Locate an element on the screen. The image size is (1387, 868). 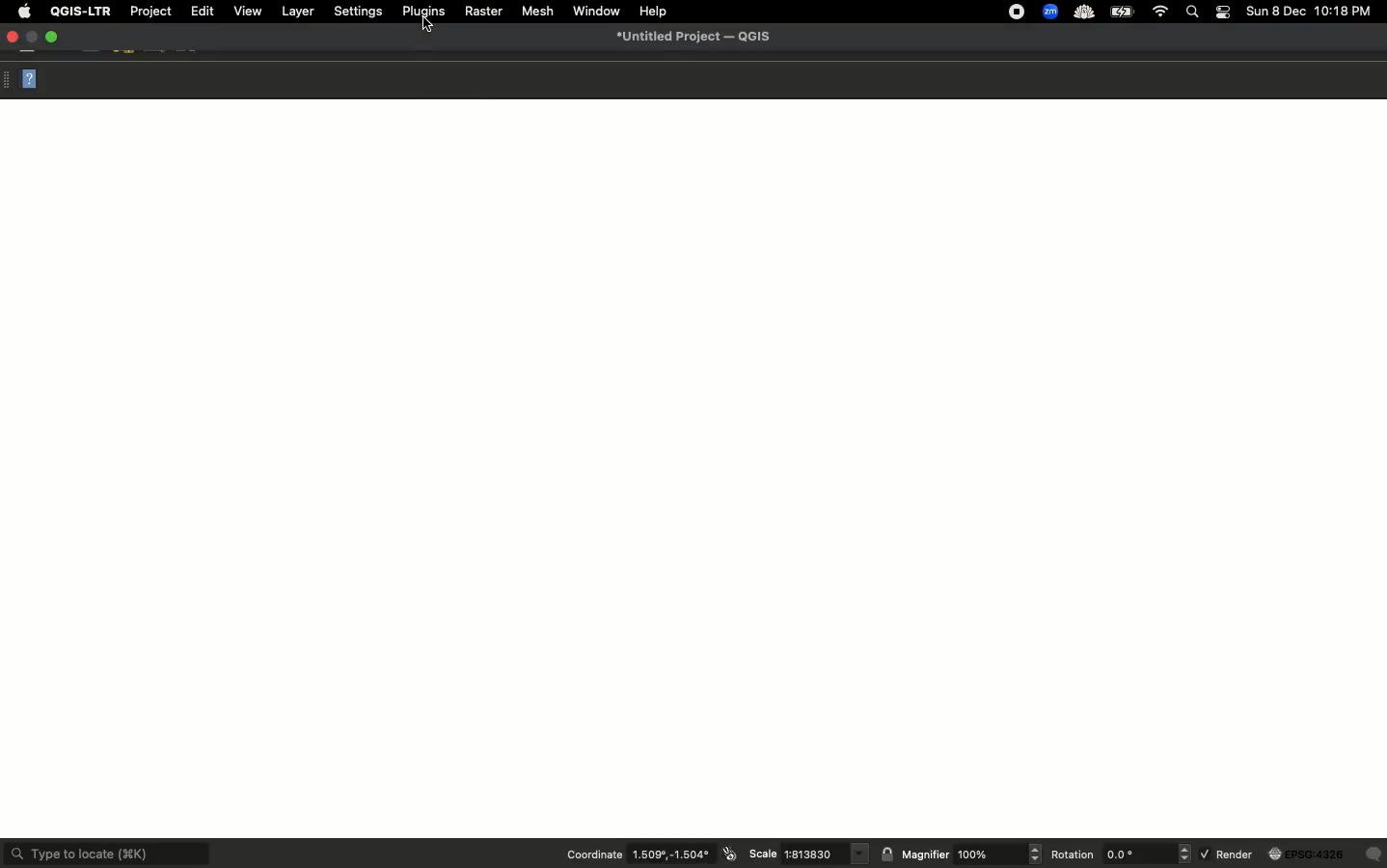
Notification is located at coordinates (1226, 13).